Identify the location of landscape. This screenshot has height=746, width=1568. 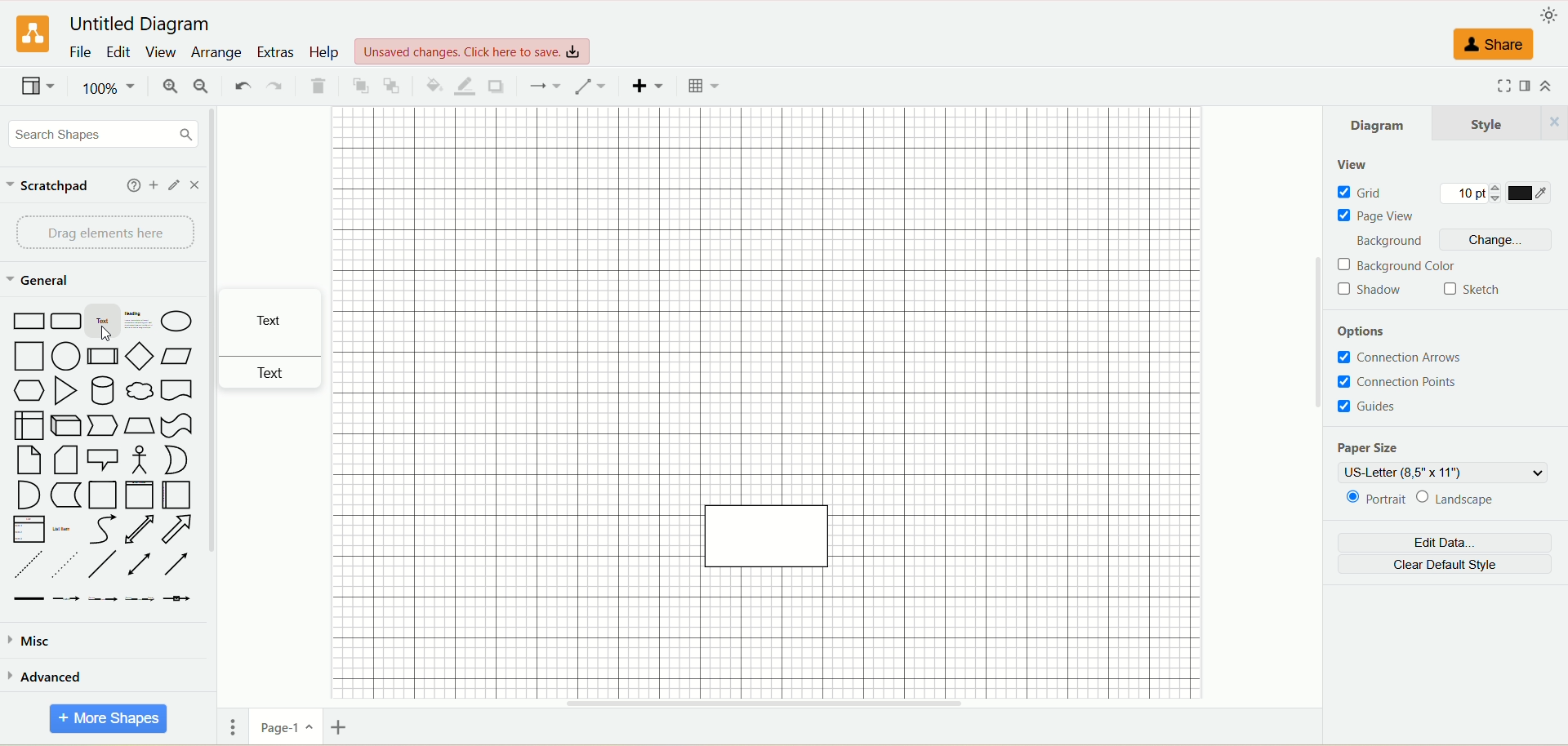
(1487, 498).